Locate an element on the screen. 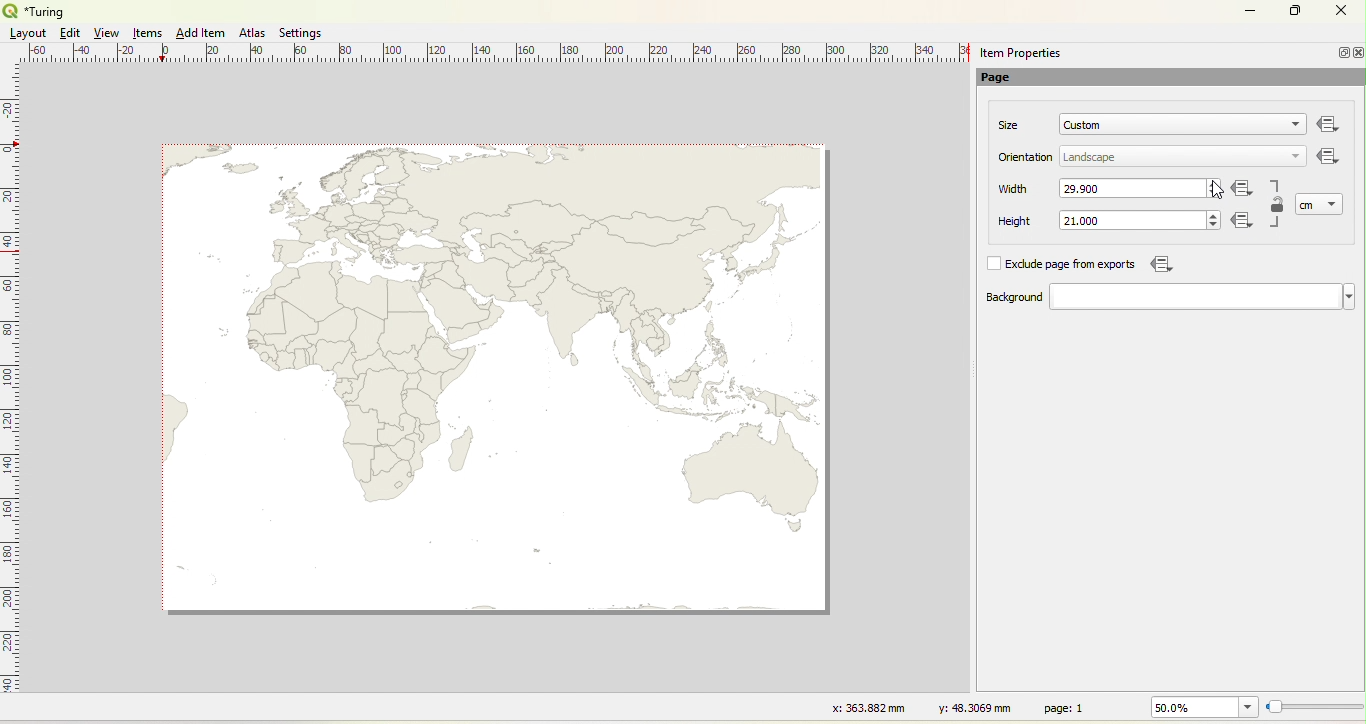 The width and height of the screenshot is (1366, 724). Icon is located at coordinates (1243, 190).